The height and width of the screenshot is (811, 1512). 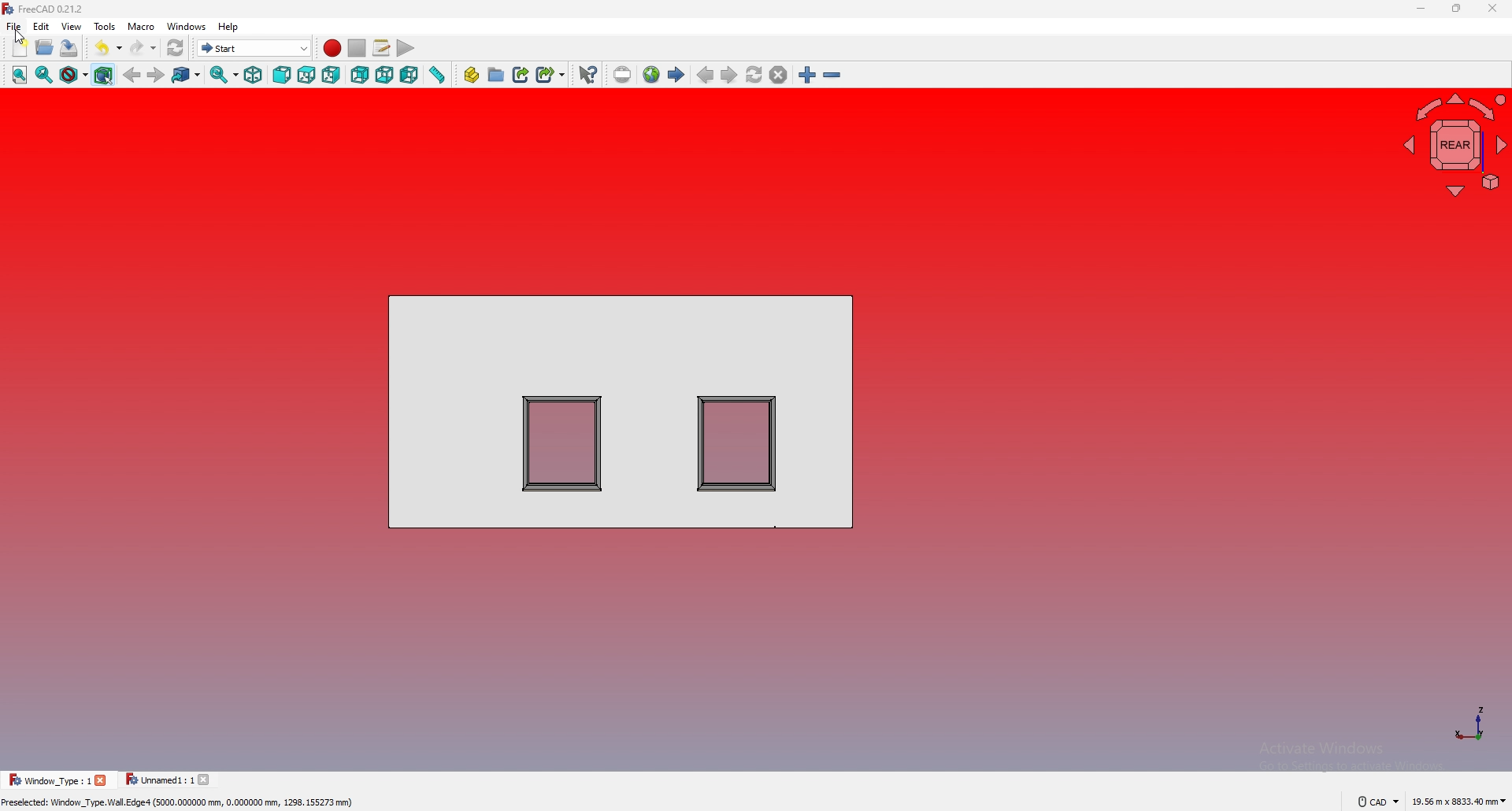 I want to click on windows, so click(x=185, y=26).